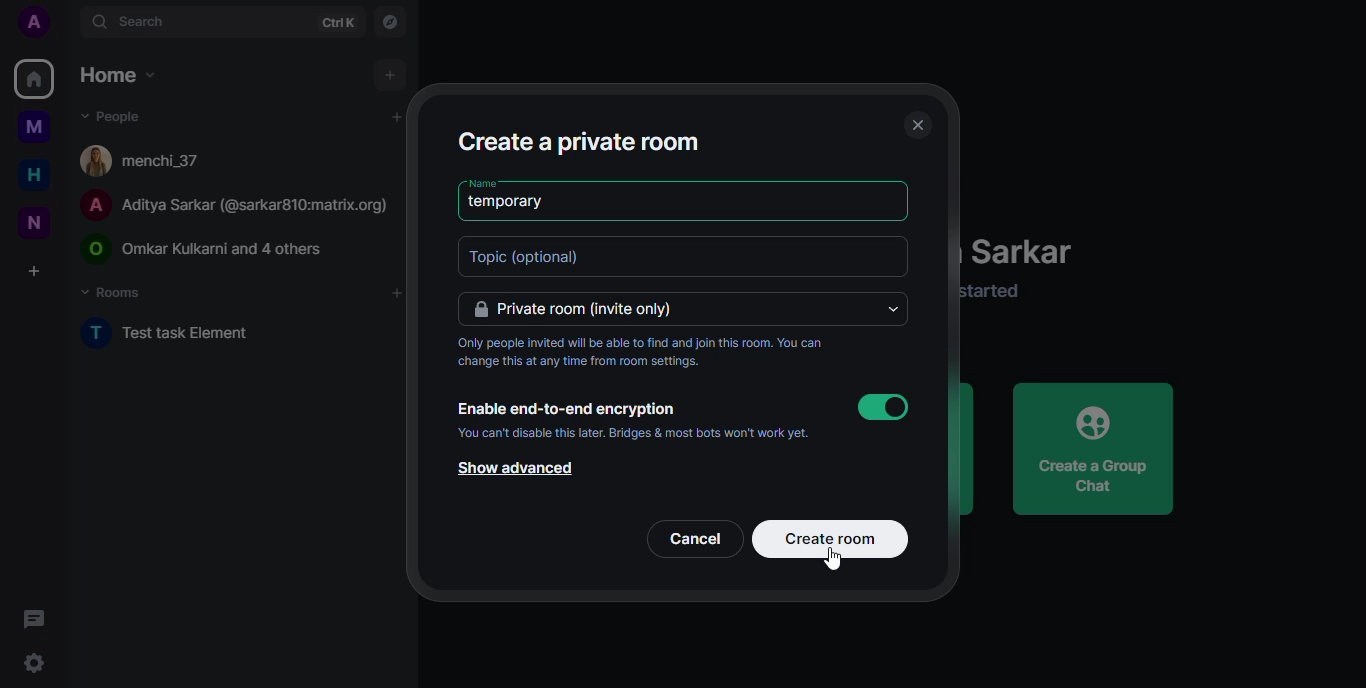 The image size is (1366, 688). What do you see at coordinates (391, 73) in the screenshot?
I see `add` at bounding box center [391, 73].